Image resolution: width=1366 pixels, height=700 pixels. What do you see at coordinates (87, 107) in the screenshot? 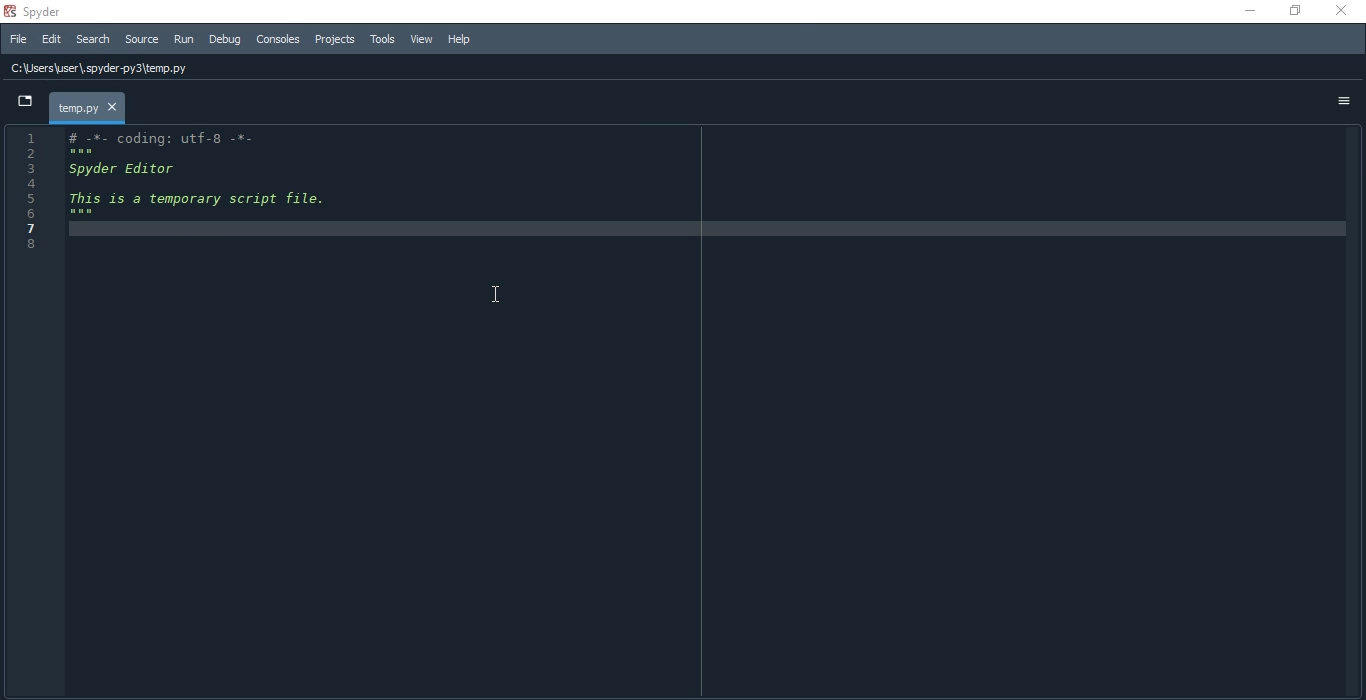
I see `temp.py` at bounding box center [87, 107].